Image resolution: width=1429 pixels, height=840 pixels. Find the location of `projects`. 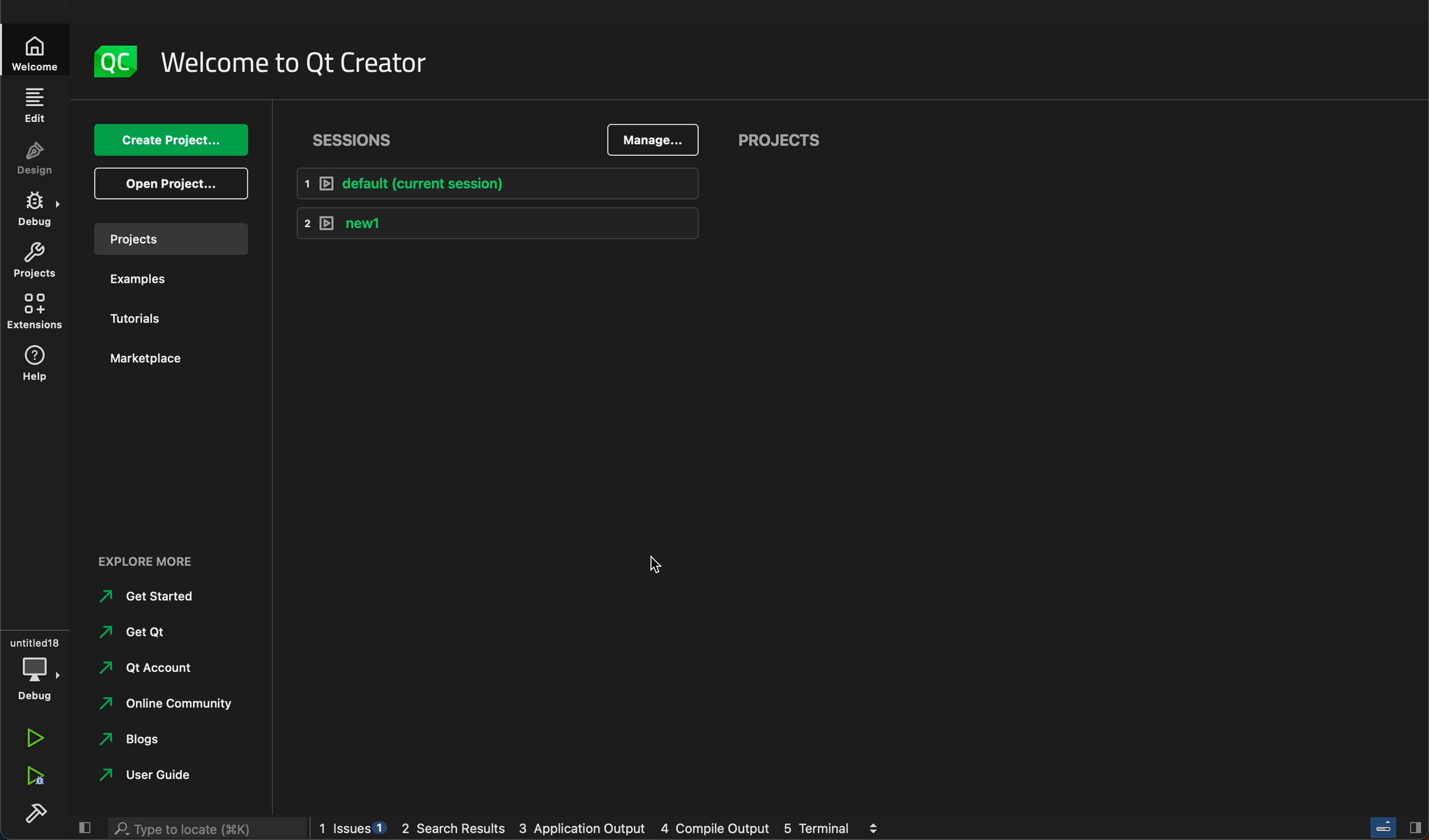

projects is located at coordinates (793, 141).